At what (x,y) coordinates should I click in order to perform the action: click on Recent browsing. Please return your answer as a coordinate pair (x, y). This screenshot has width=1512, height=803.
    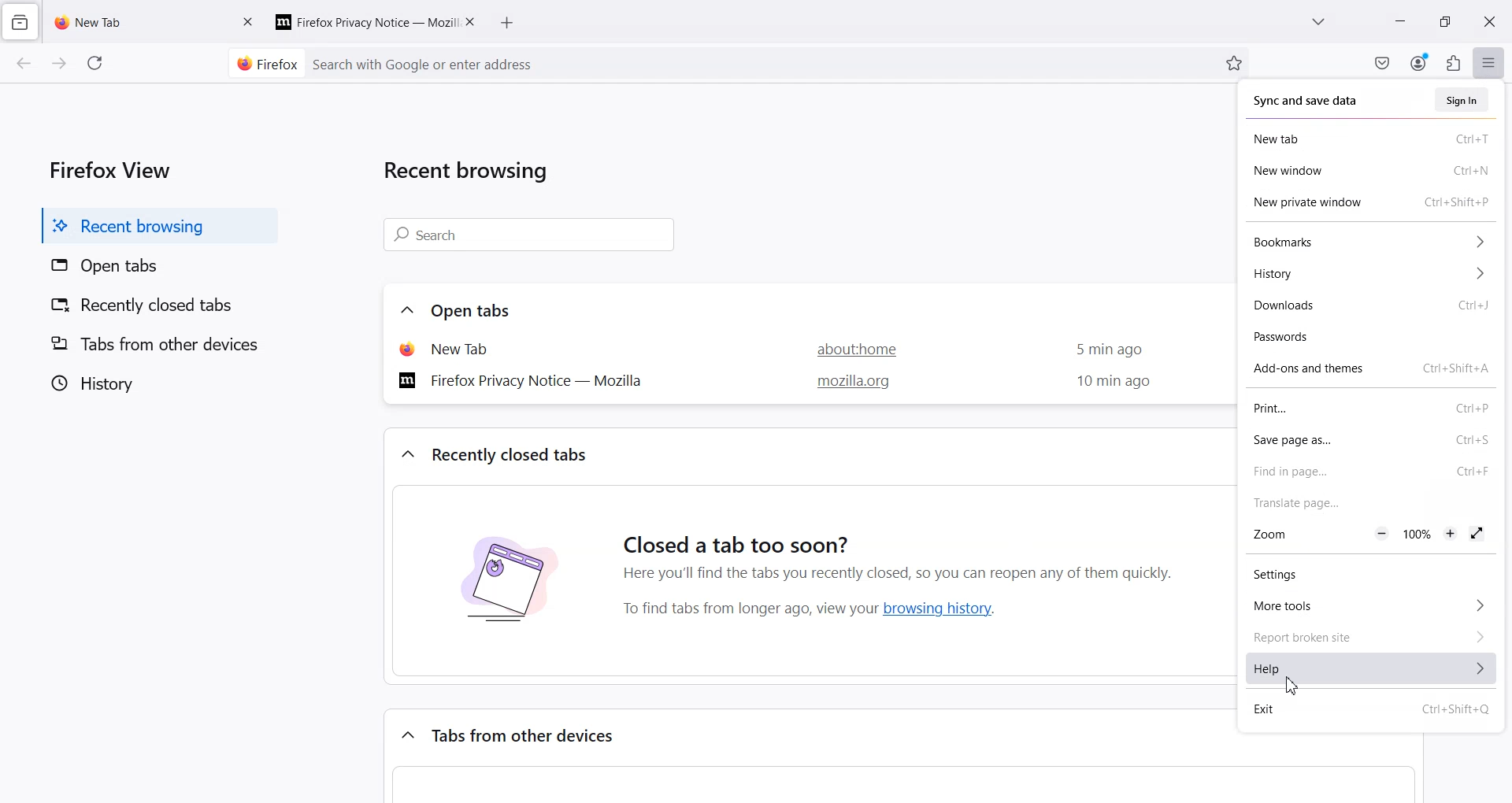
    Looking at the image, I should click on (474, 174).